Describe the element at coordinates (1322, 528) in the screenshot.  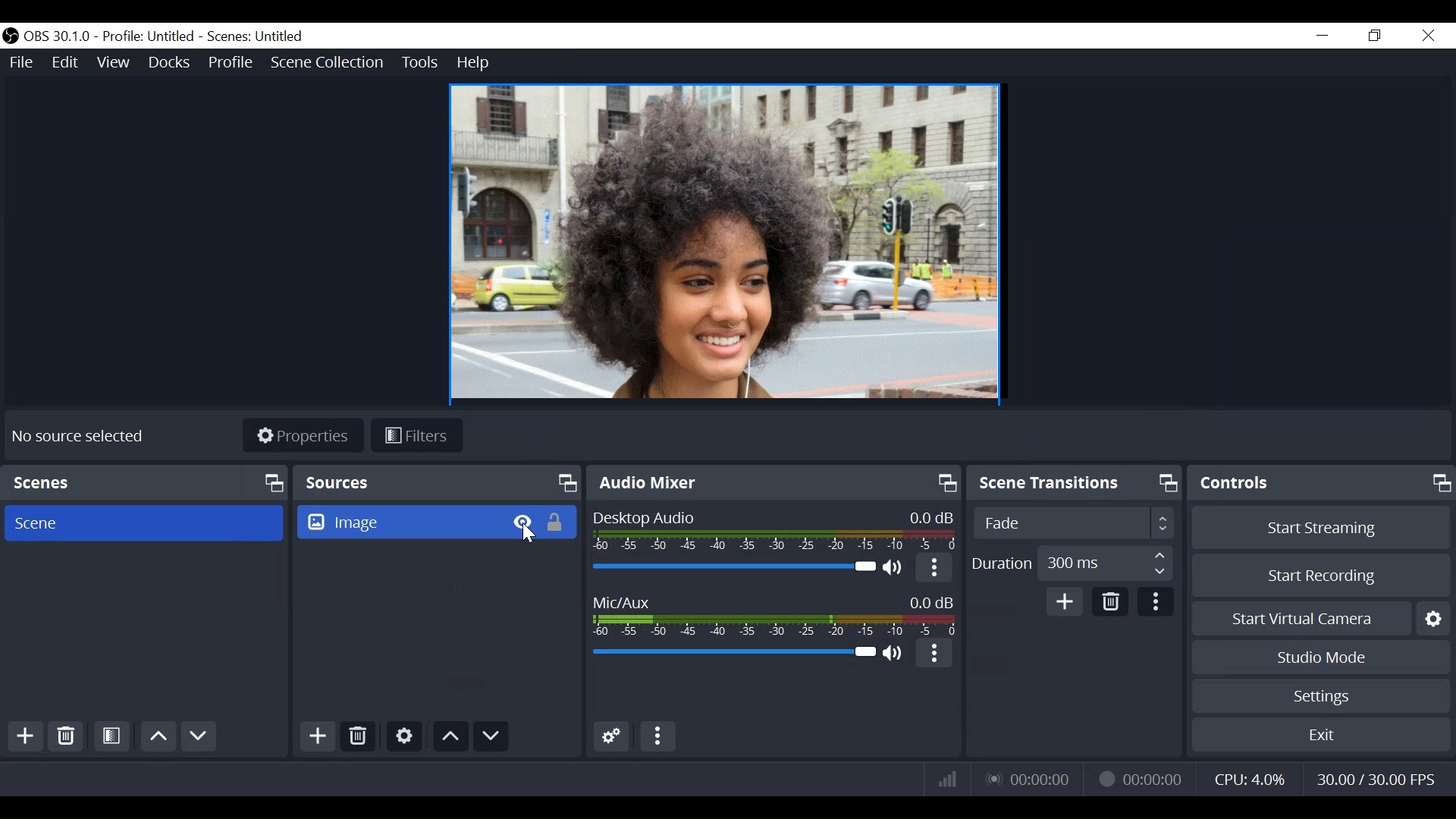
I see `Start Streaming` at that location.